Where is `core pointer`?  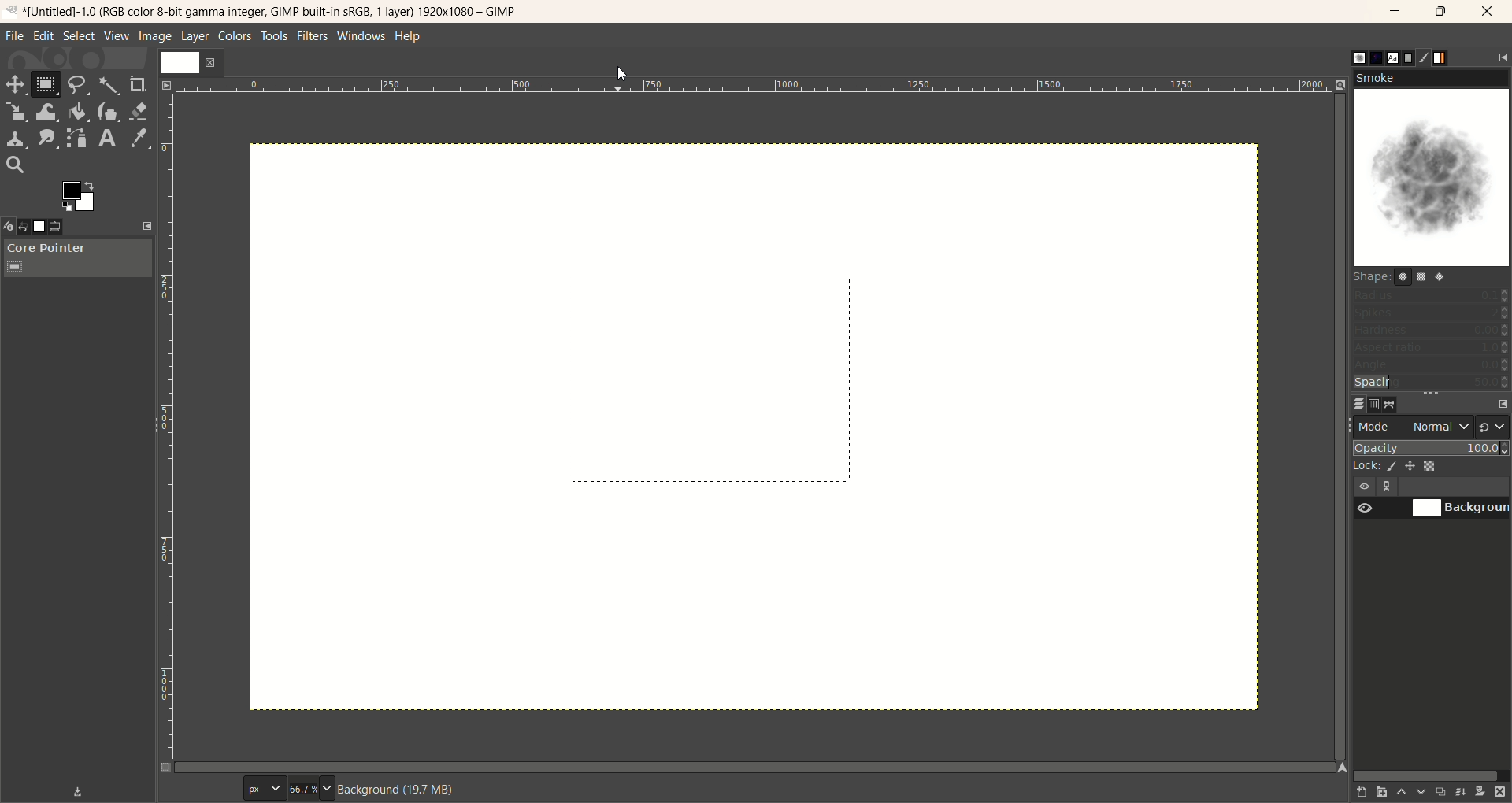 core pointer is located at coordinates (77, 261).